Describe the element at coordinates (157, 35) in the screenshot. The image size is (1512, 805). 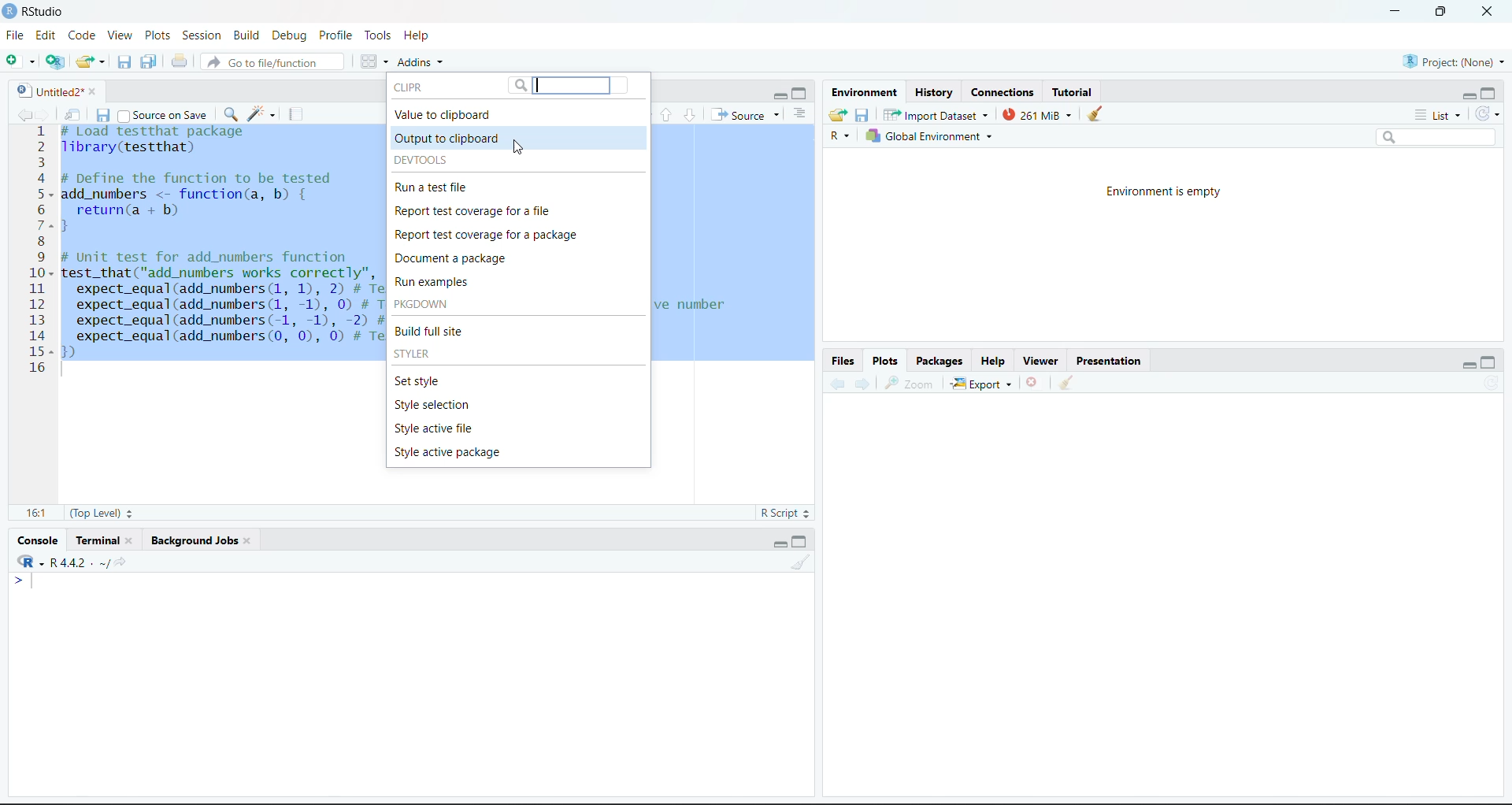
I see `Plots` at that location.